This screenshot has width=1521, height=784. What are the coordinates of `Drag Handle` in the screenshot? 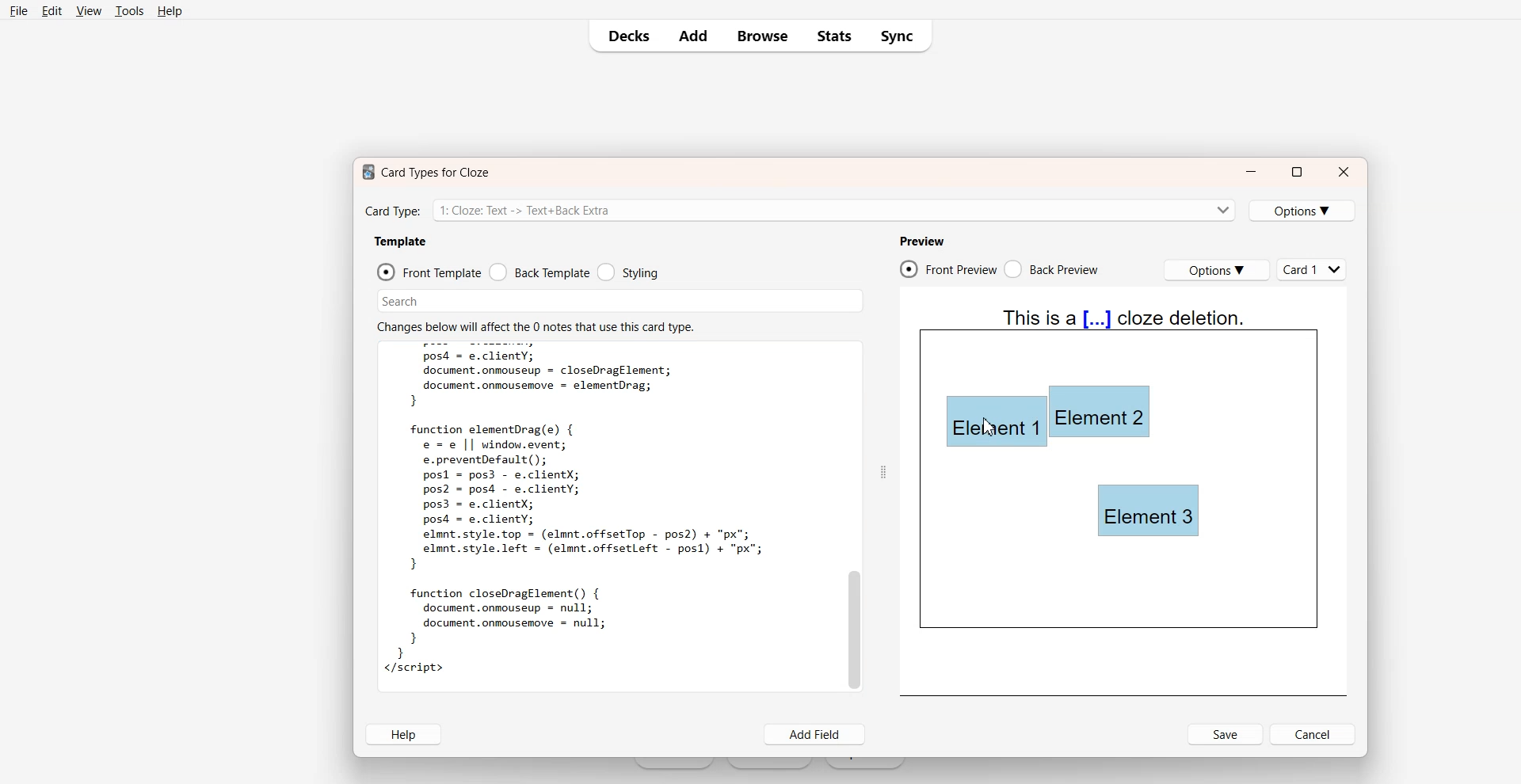 It's located at (882, 471).